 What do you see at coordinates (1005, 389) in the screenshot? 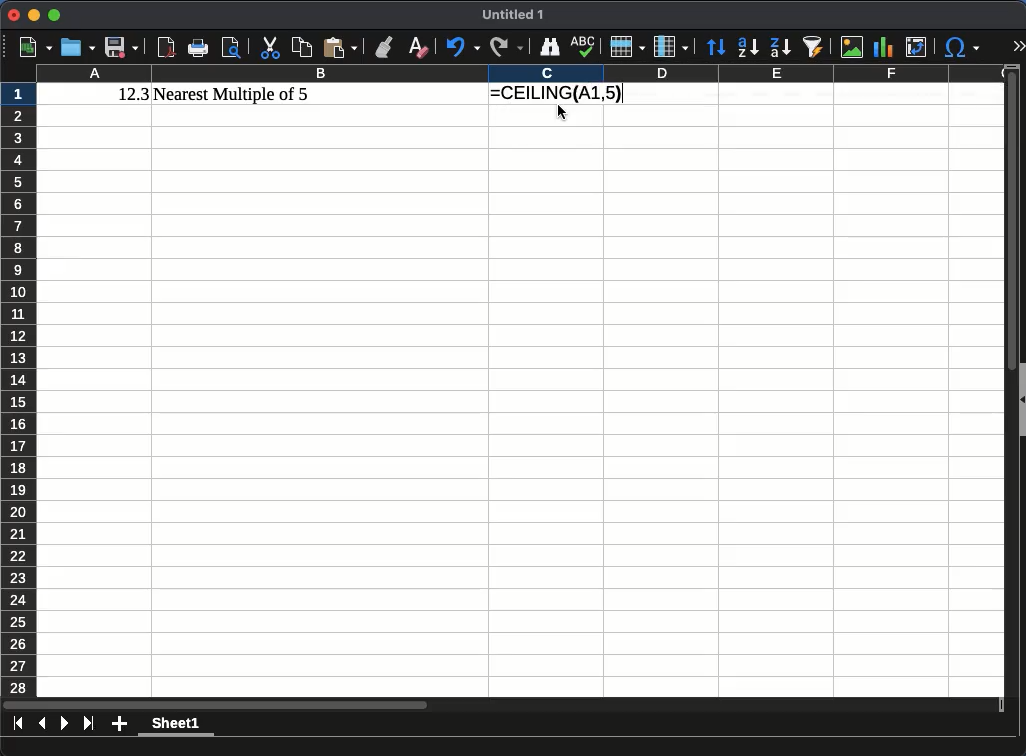
I see `scroll` at bounding box center [1005, 389].